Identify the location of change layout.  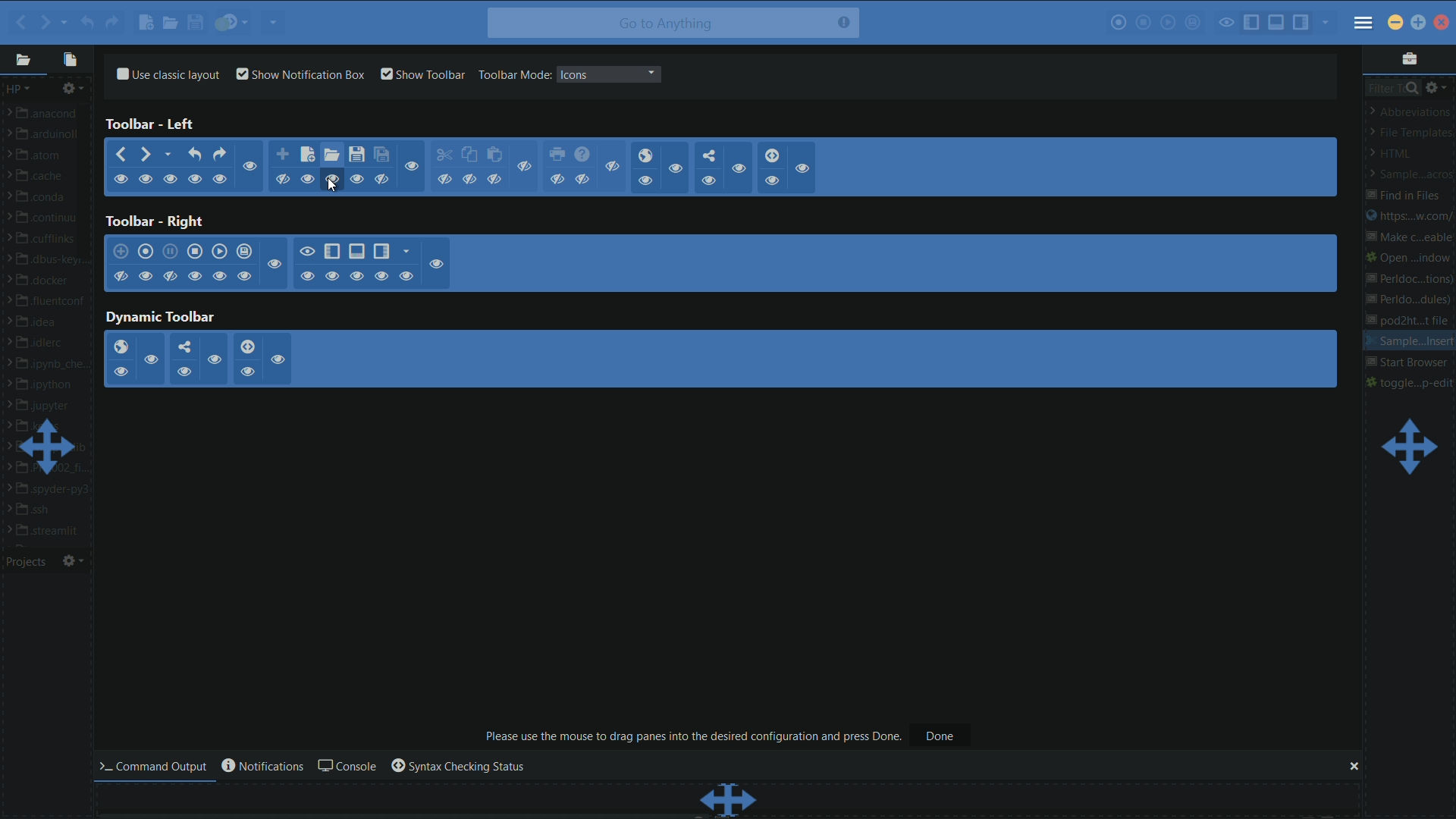
(729, 799).